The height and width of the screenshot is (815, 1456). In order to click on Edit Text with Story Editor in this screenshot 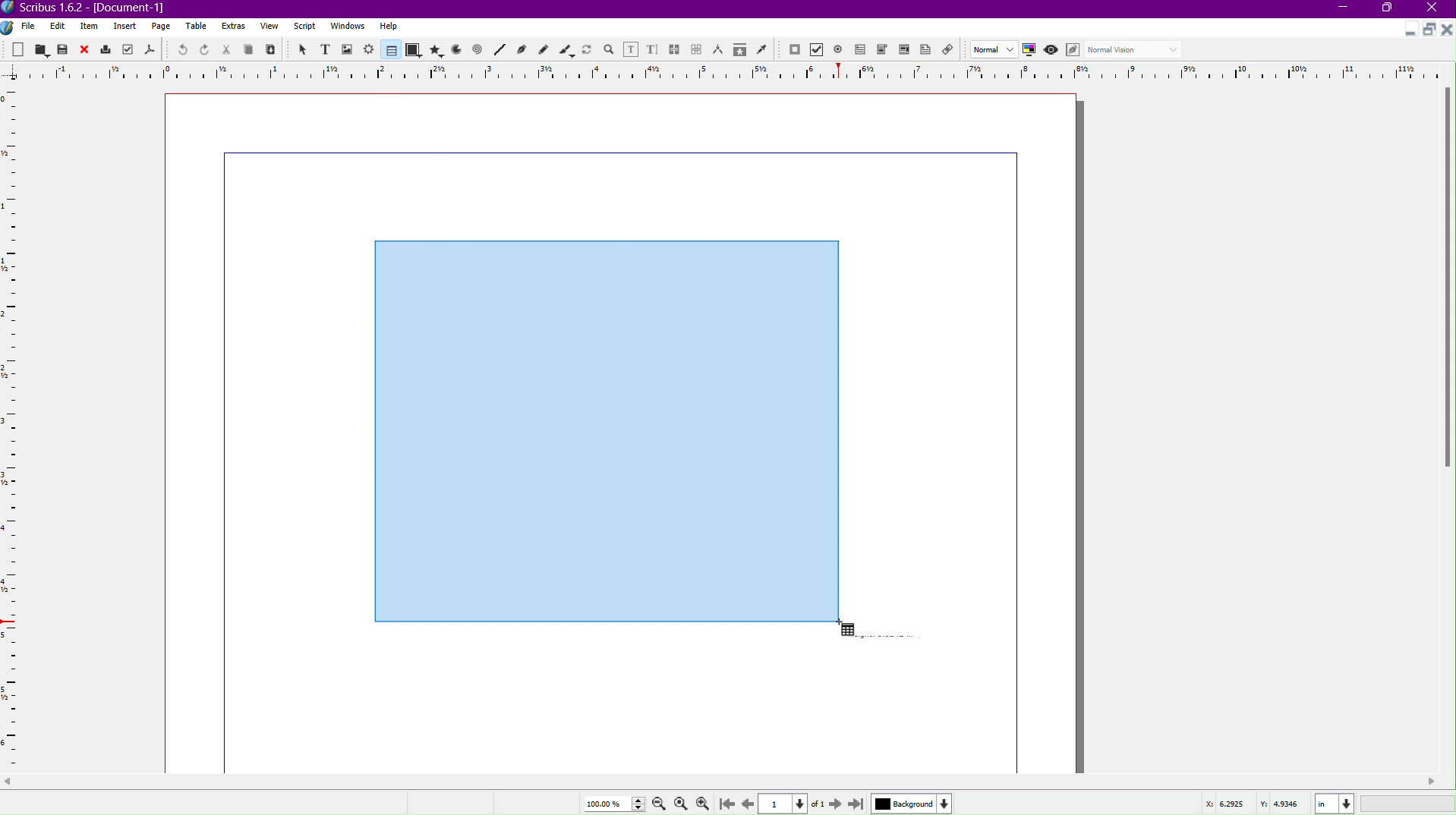, I will do `click(653, 49)`.